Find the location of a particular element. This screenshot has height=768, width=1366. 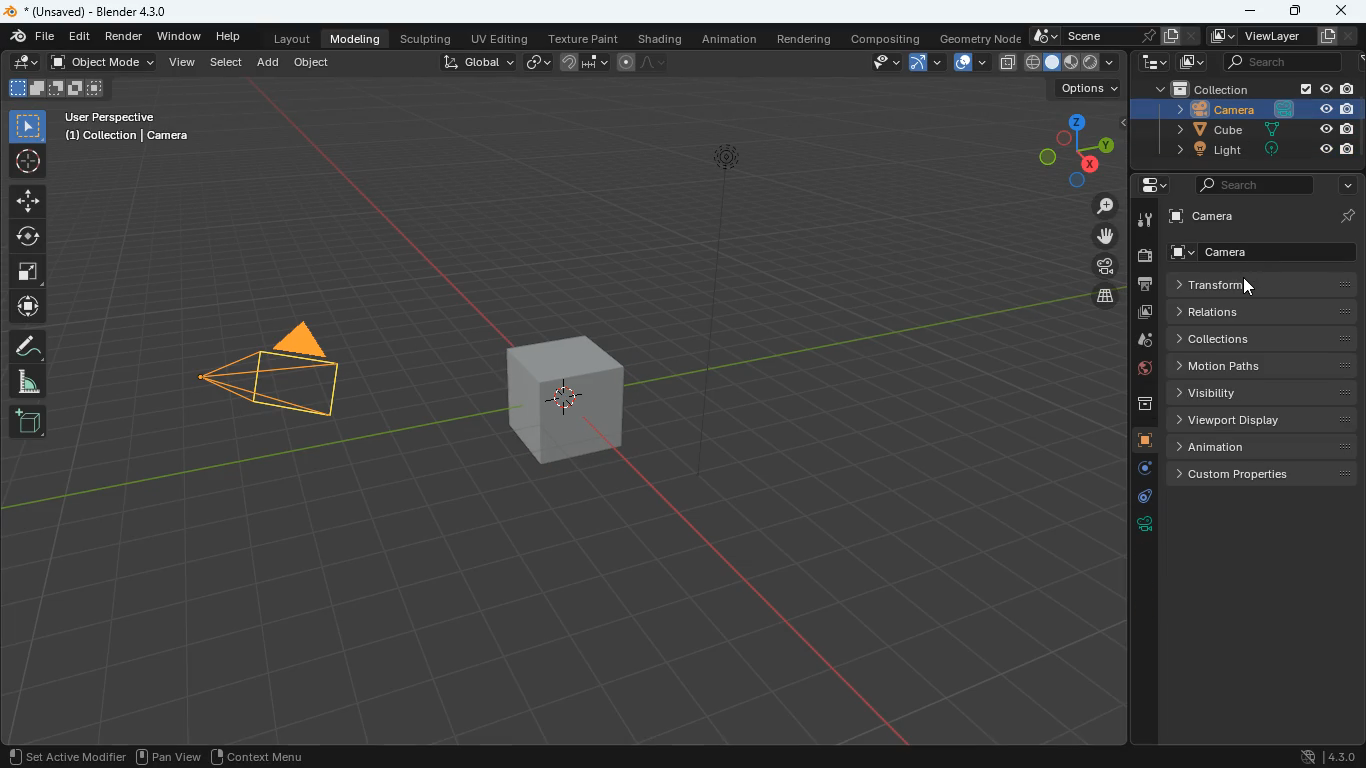

camera is located at coordinates (281, 382).